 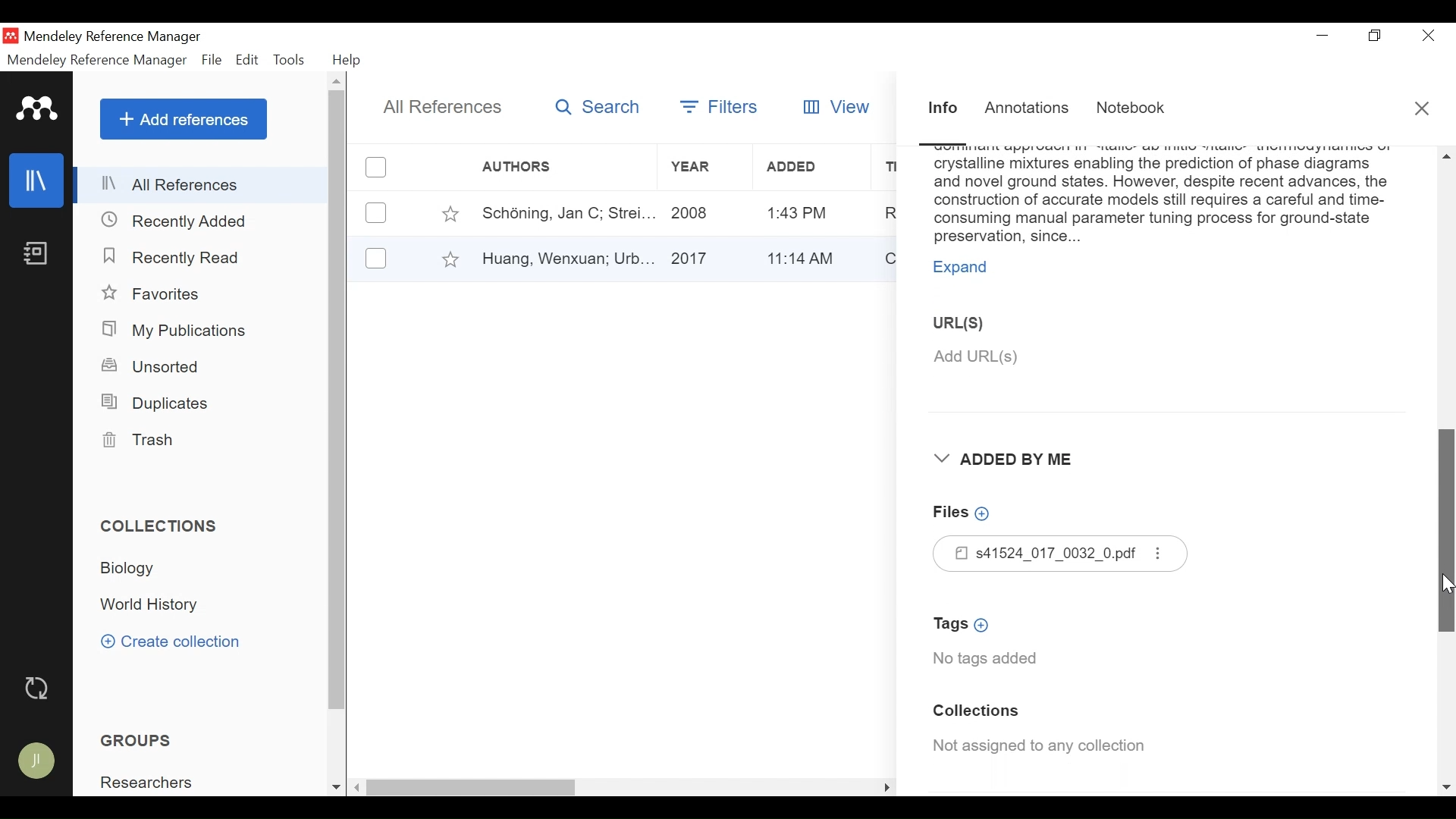 What do you see at coordinates (1447, 789) in the screenshot?
I see `Scroll down` at bounding box center [1447, 789].